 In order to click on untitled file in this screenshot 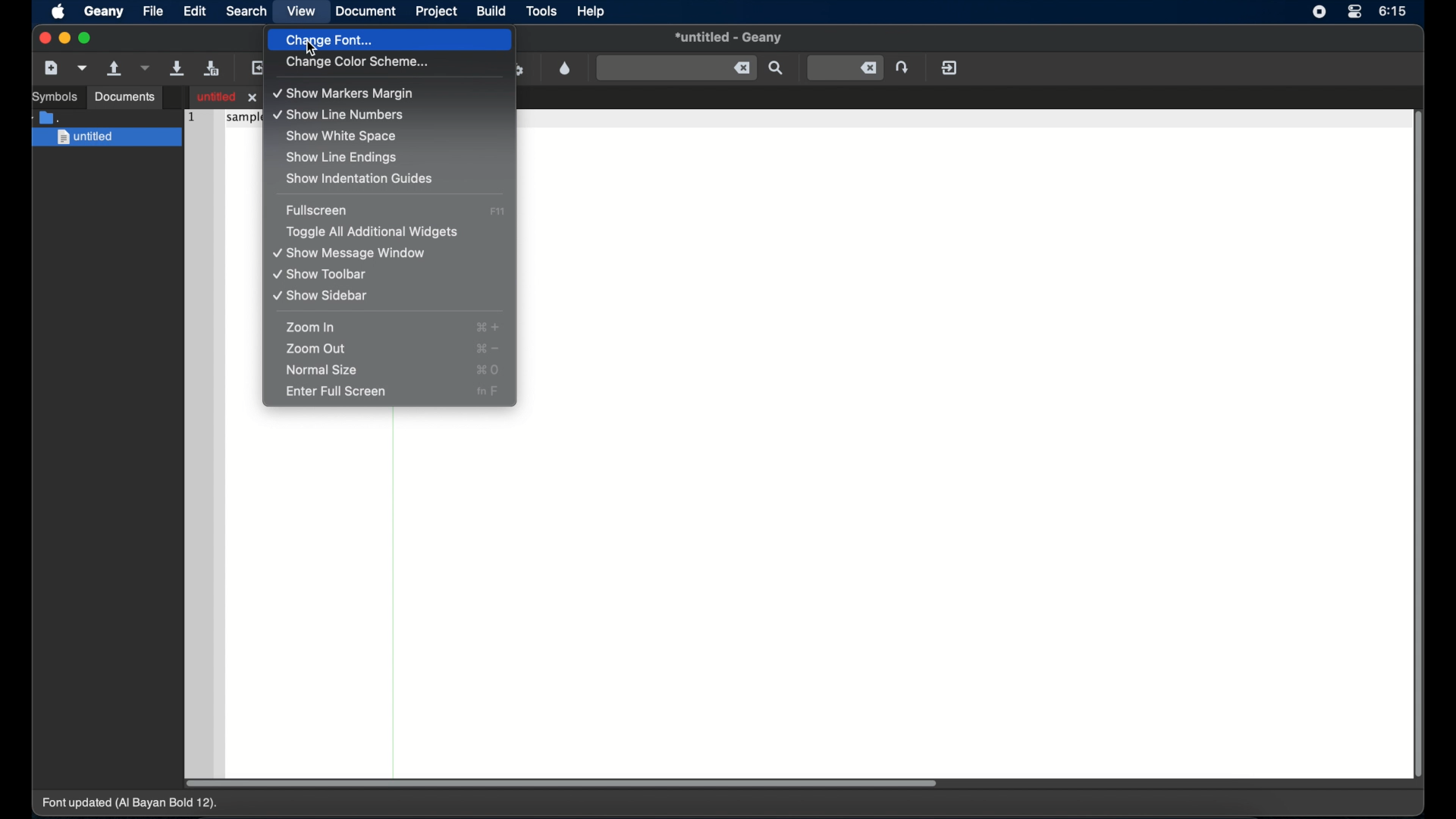, I will do `click(229, 96)`.